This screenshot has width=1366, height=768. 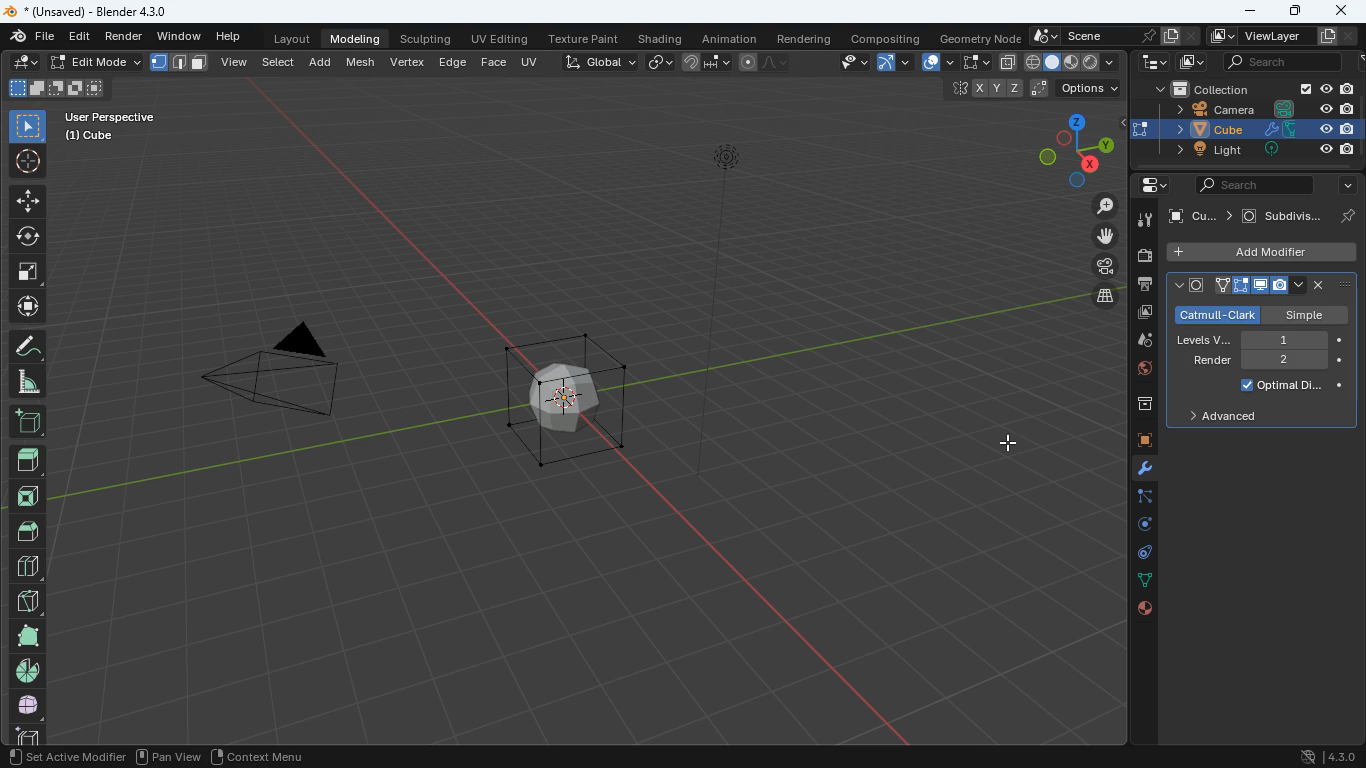 What do you see at coordinates (1141, 500) in the screenshot?
I see `edge` at bounding box center [1141, 500].